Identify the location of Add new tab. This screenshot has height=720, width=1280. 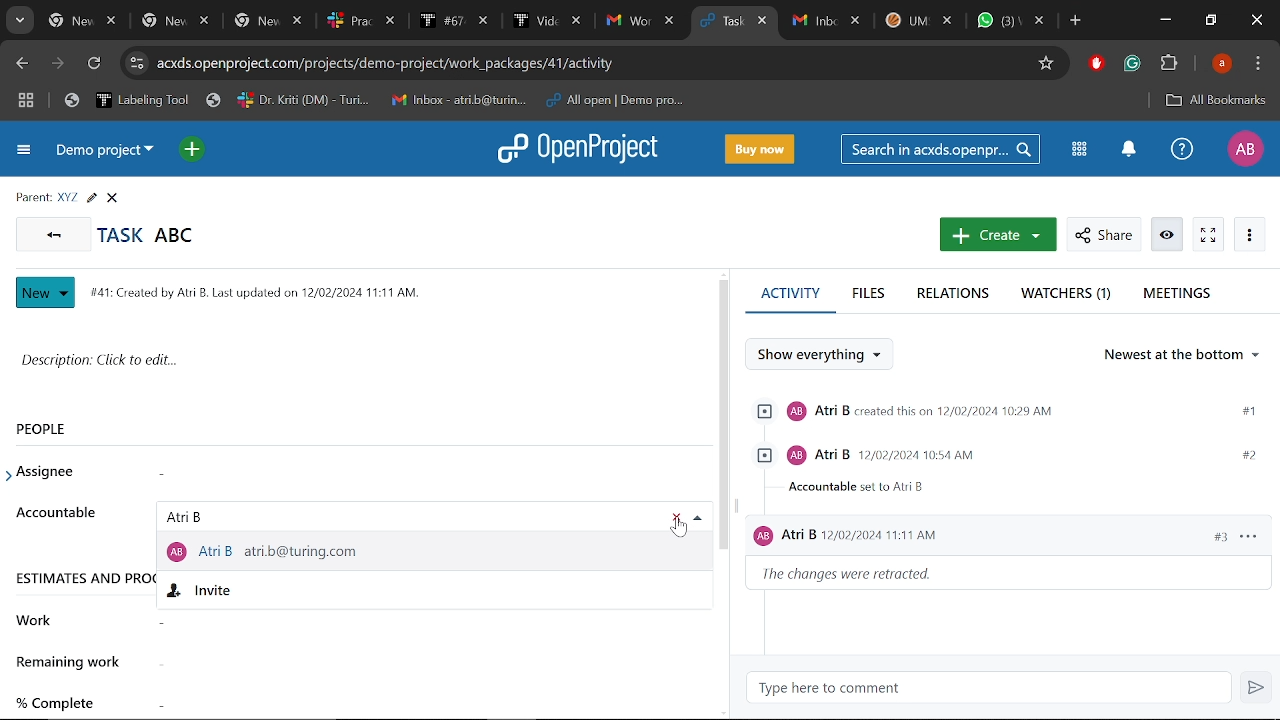
(1076, 23).